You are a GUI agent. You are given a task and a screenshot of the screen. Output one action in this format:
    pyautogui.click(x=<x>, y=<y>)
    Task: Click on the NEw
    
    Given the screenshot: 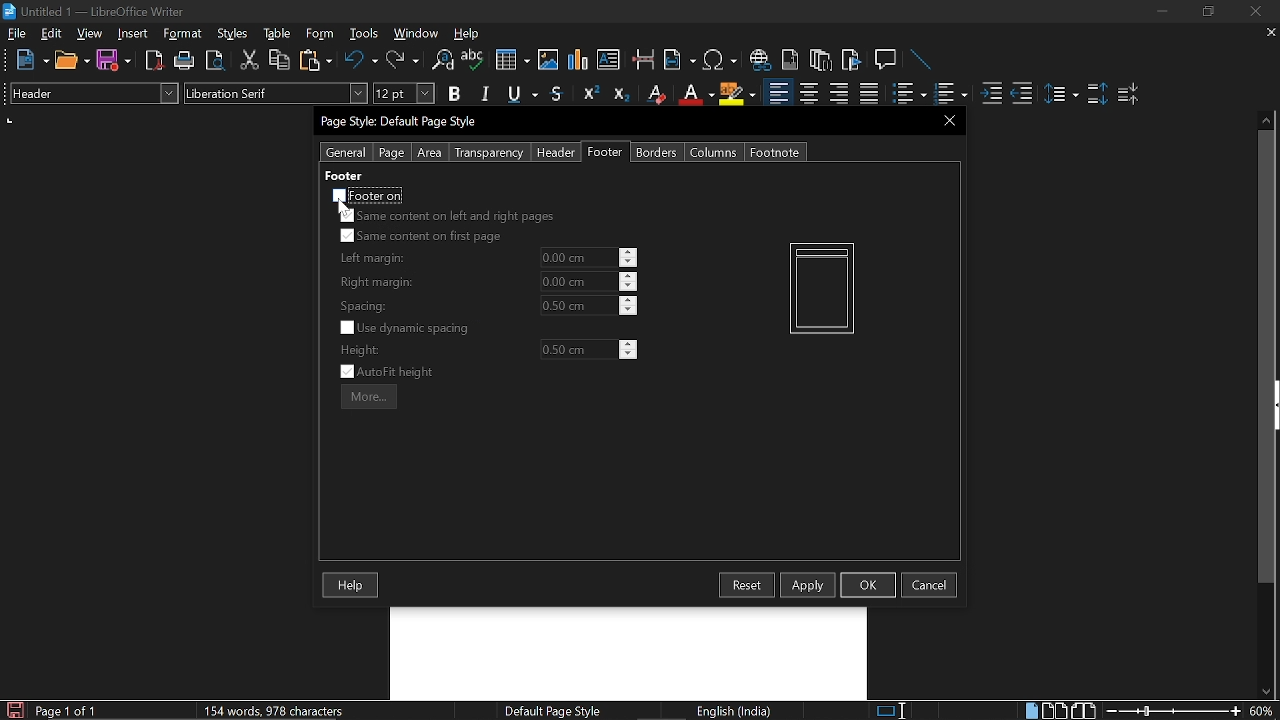 What is the action you would take?
    pyautogui.click(x=31, y=60)
    